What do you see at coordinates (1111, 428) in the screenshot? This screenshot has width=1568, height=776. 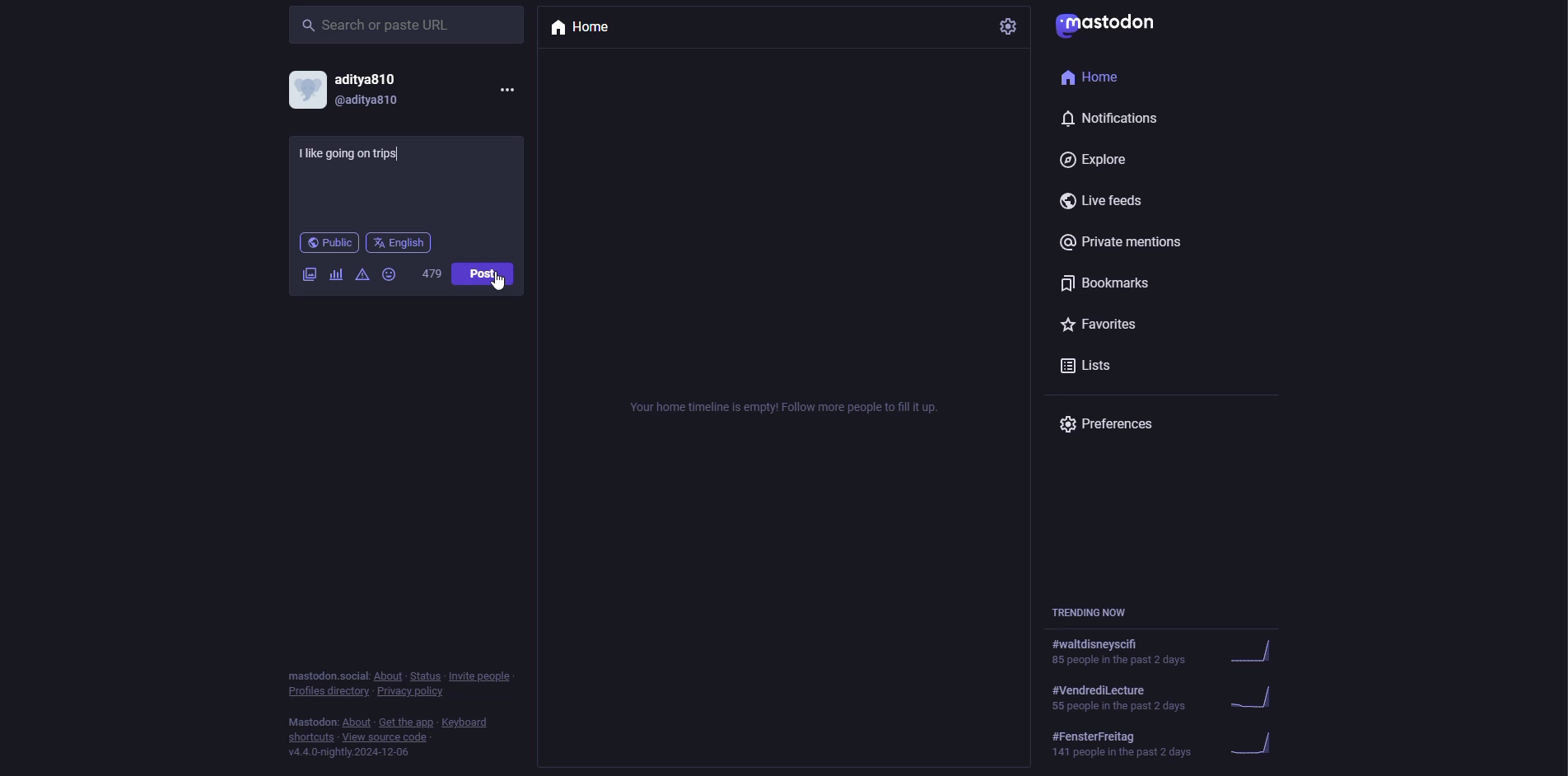 I see `preferences` at bounding box center [1111, 428].